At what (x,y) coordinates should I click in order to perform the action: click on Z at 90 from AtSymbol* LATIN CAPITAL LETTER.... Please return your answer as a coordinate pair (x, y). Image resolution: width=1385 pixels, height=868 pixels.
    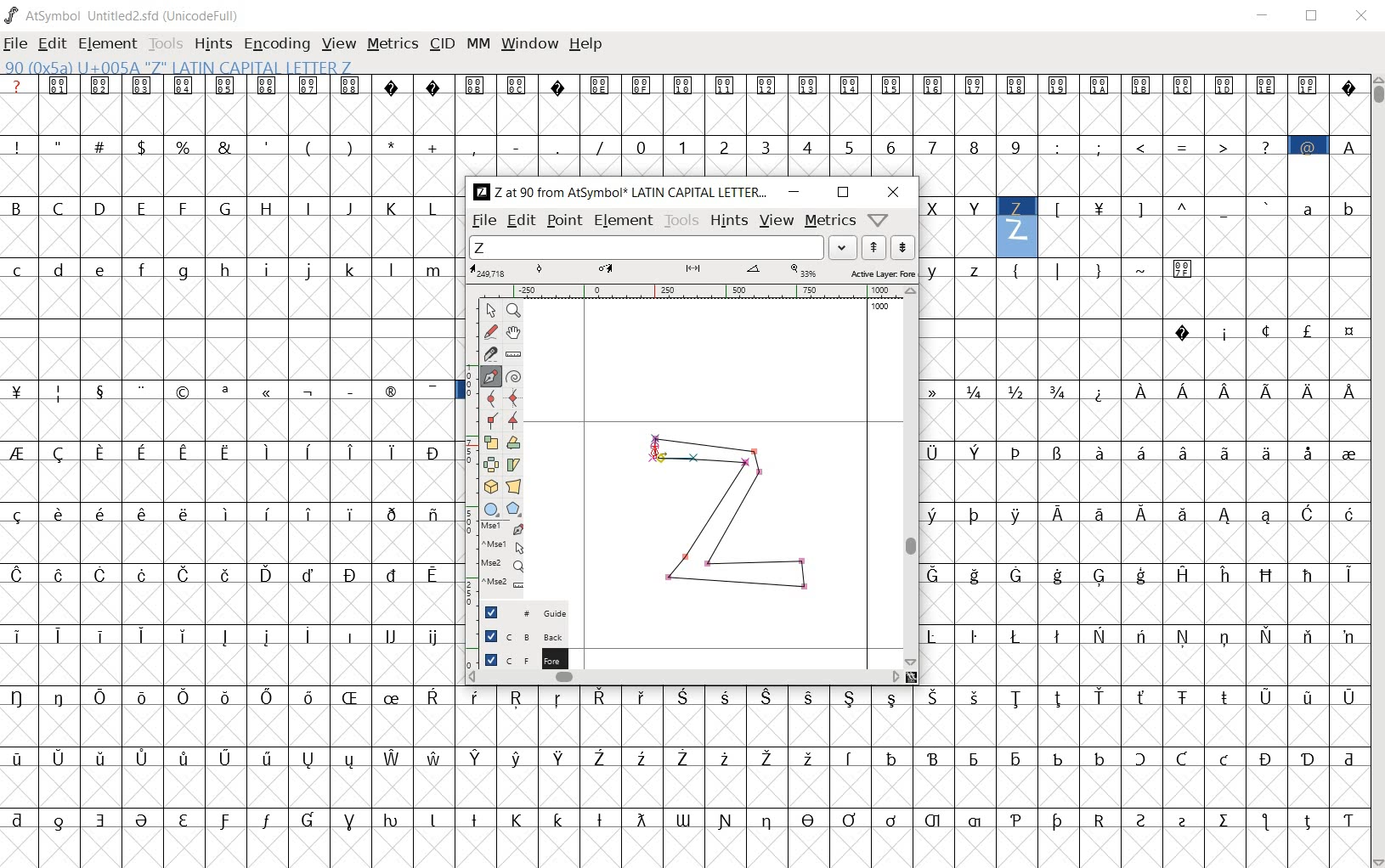
    Looking at the image, I should click on (619, 193).